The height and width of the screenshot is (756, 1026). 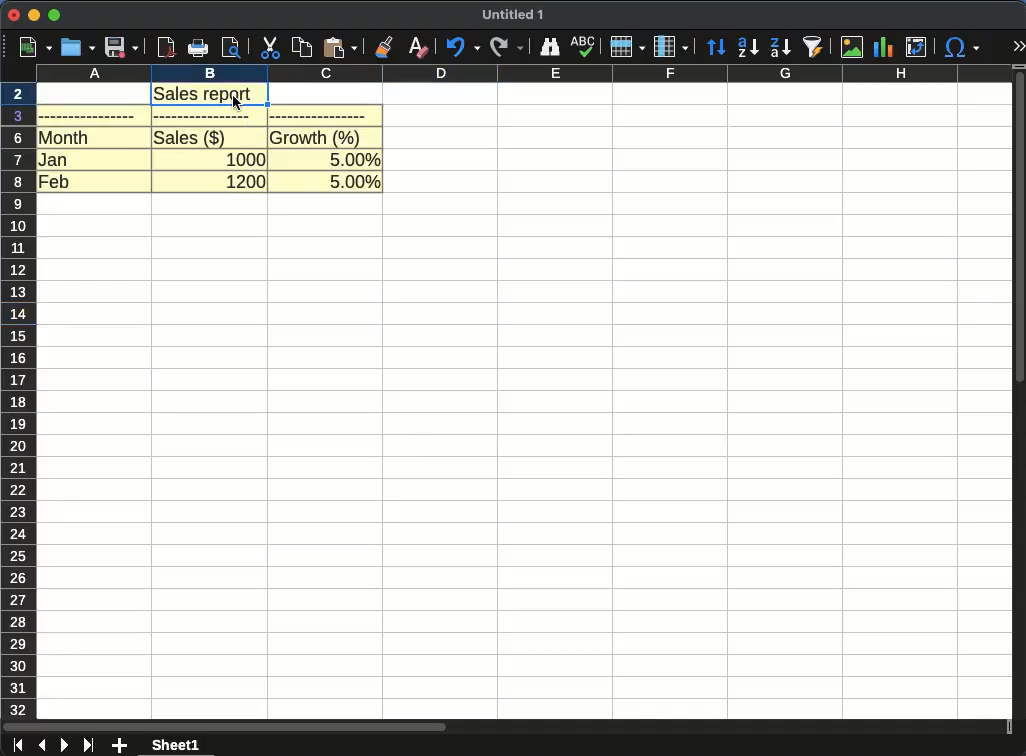 I want to click on redo, so click(x=507, y=48).